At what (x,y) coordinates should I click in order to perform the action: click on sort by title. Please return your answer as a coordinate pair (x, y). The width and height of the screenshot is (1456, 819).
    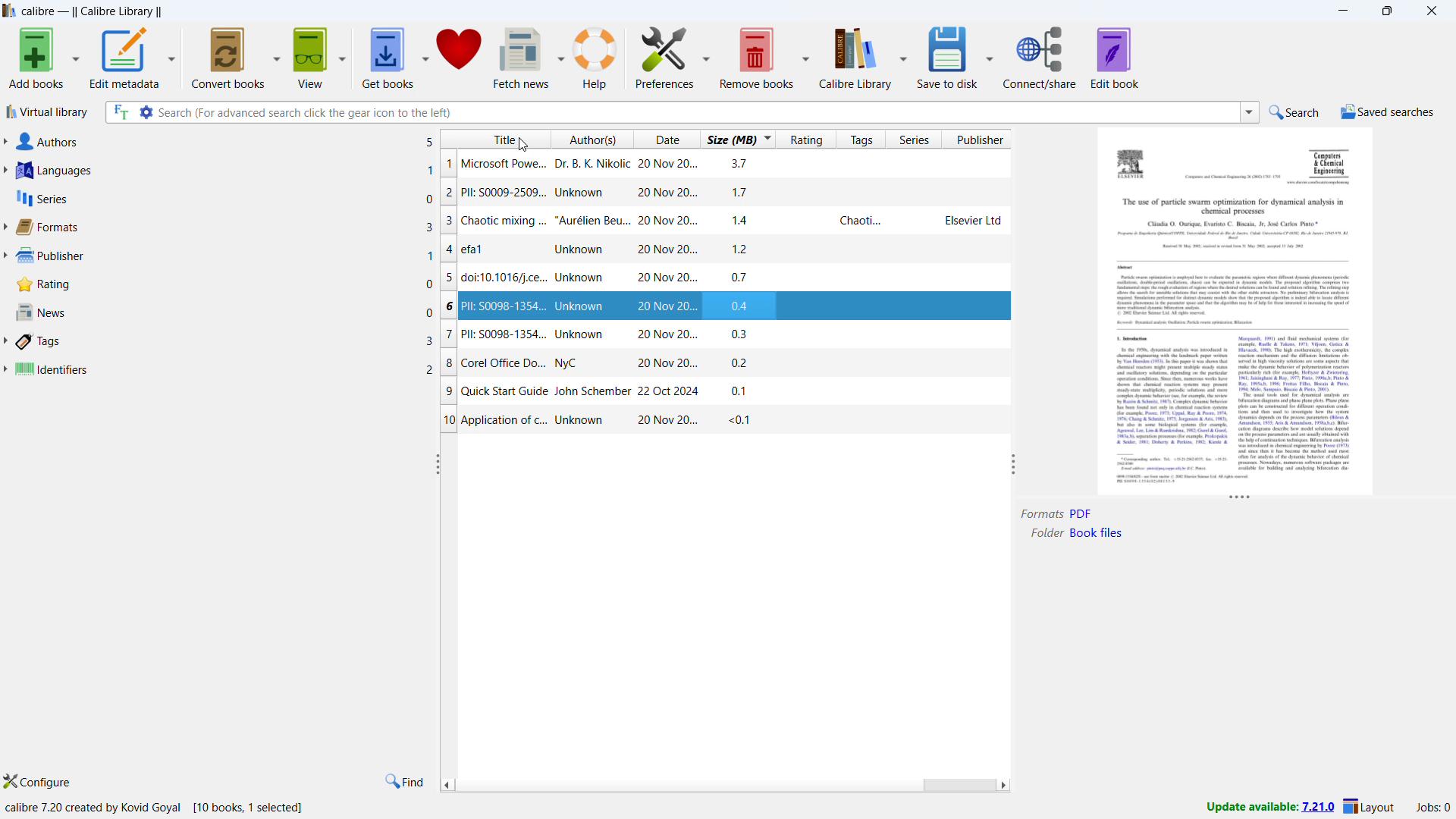
    Looking at the image, I should click on (496, 139).